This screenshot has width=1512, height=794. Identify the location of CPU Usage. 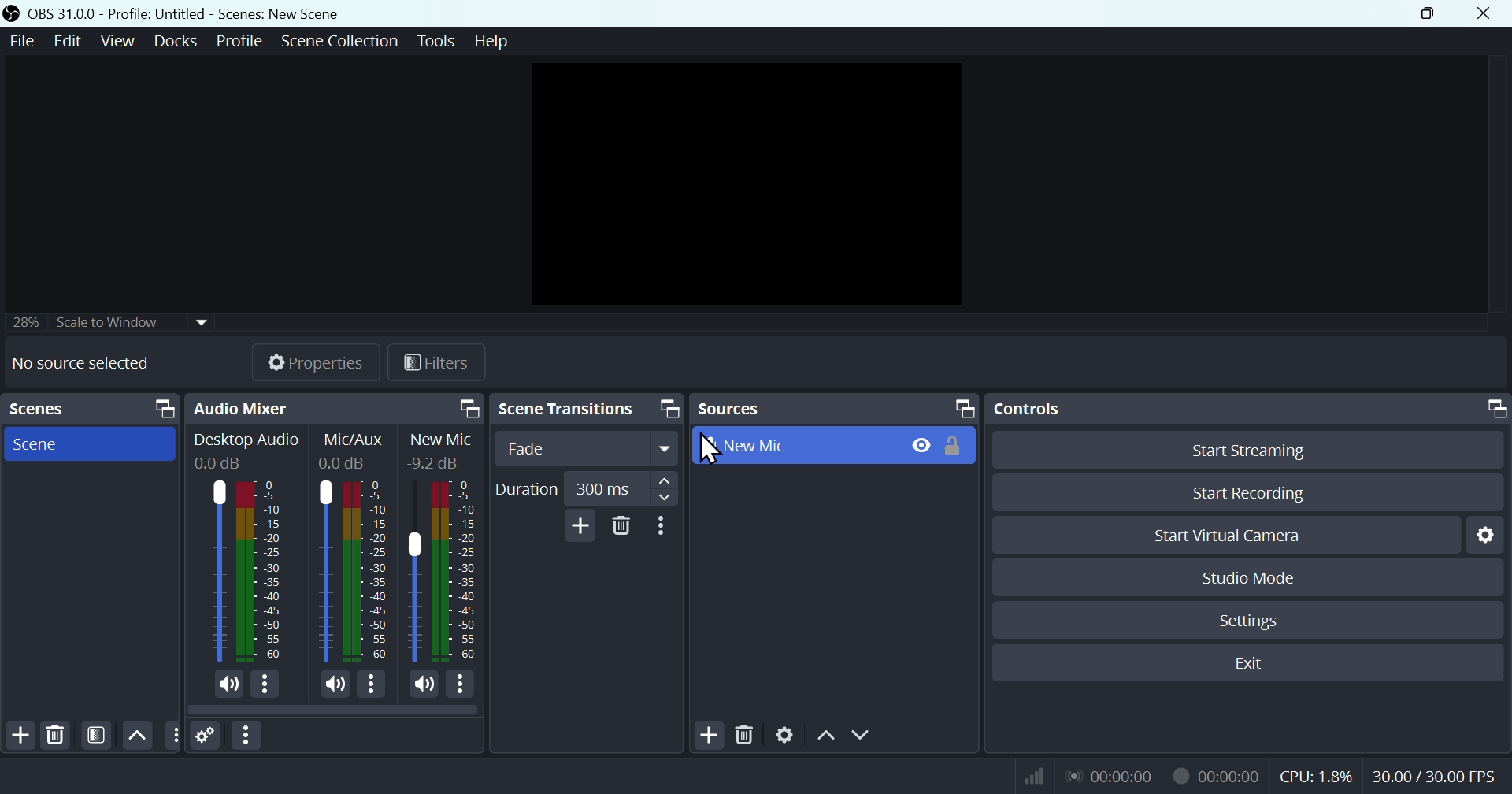
(1318, 777).